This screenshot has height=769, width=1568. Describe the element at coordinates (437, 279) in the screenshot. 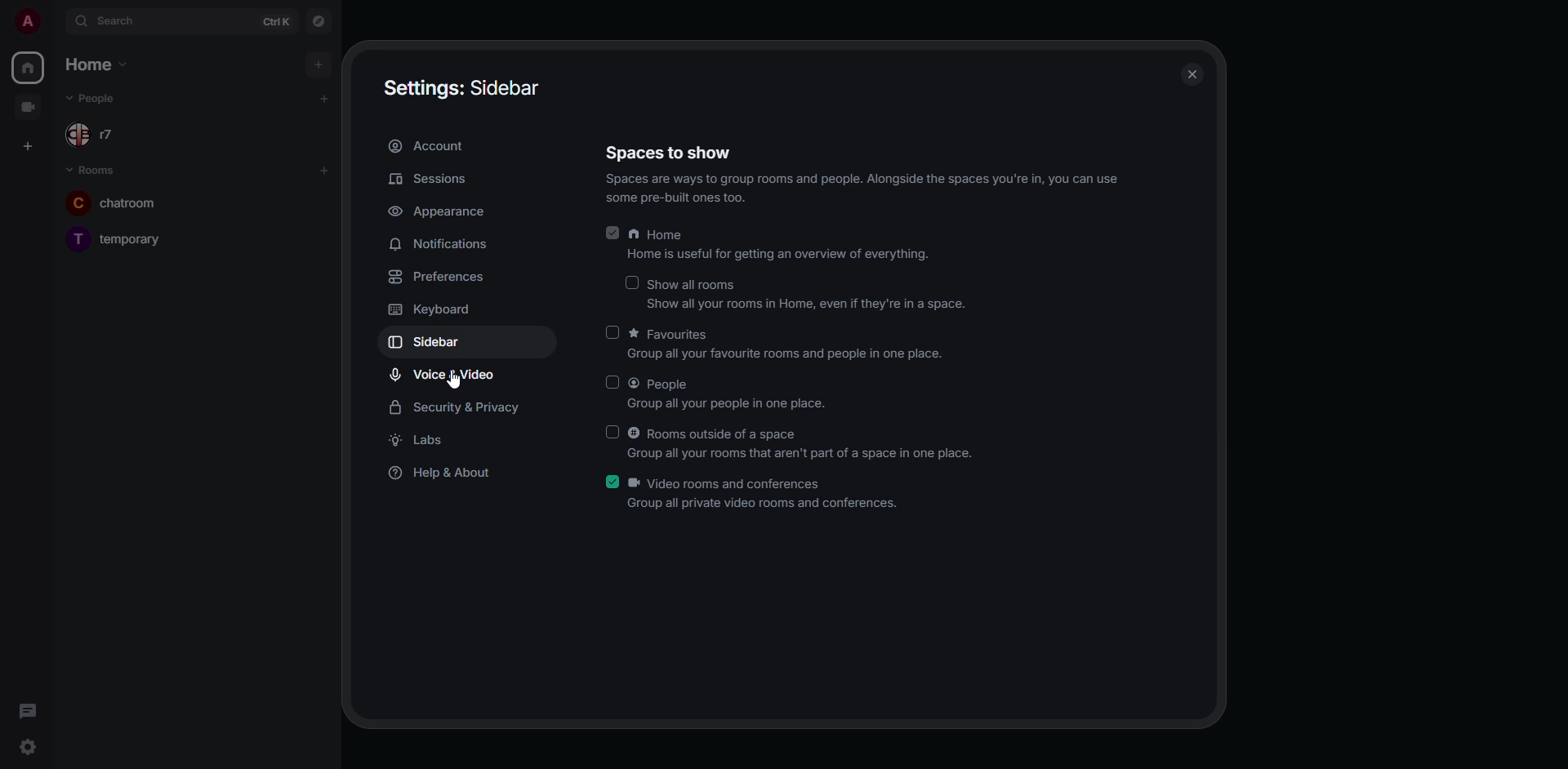

I see `preferences` at that location.